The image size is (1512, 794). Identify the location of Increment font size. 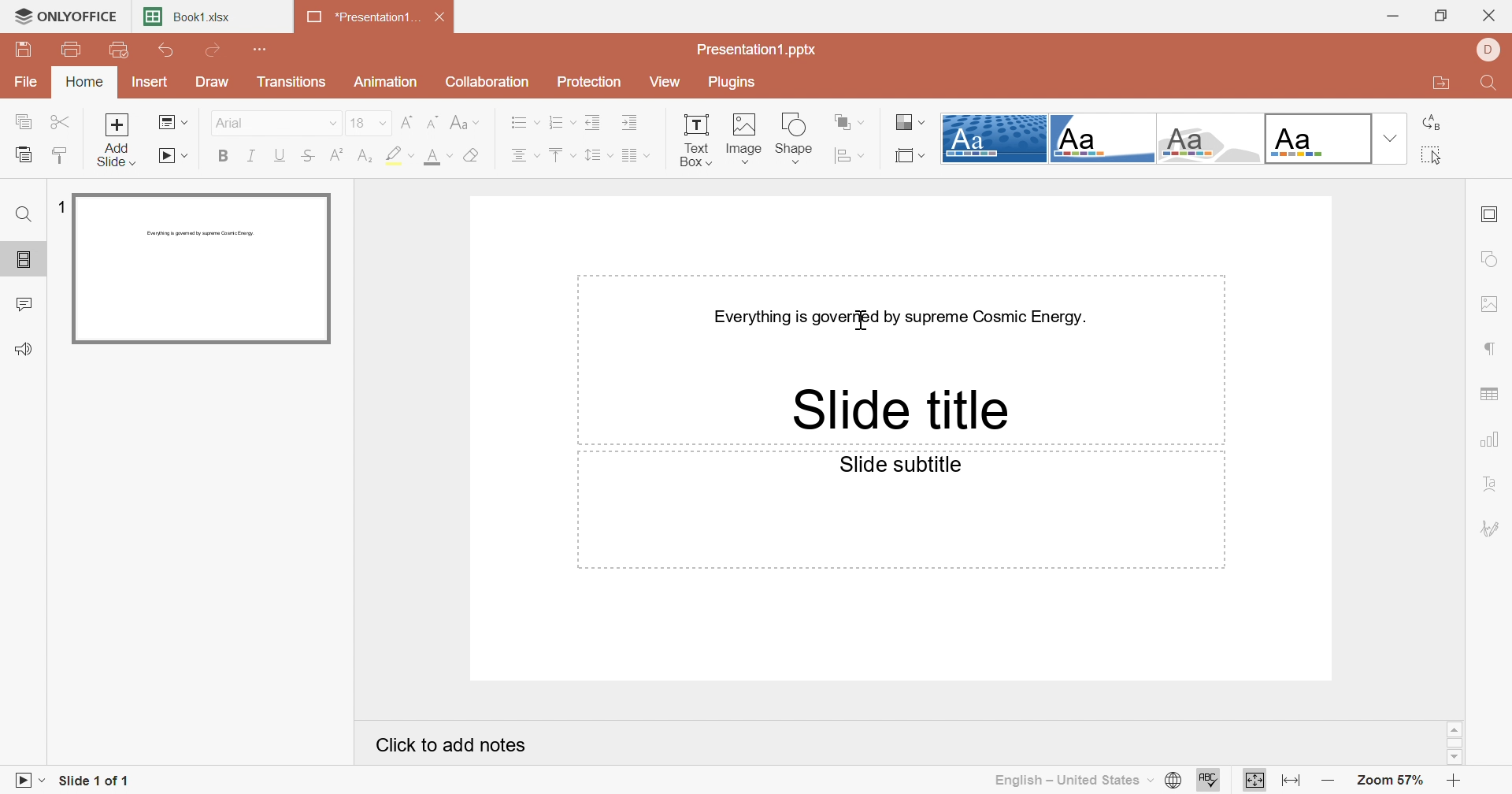
(406, 121).